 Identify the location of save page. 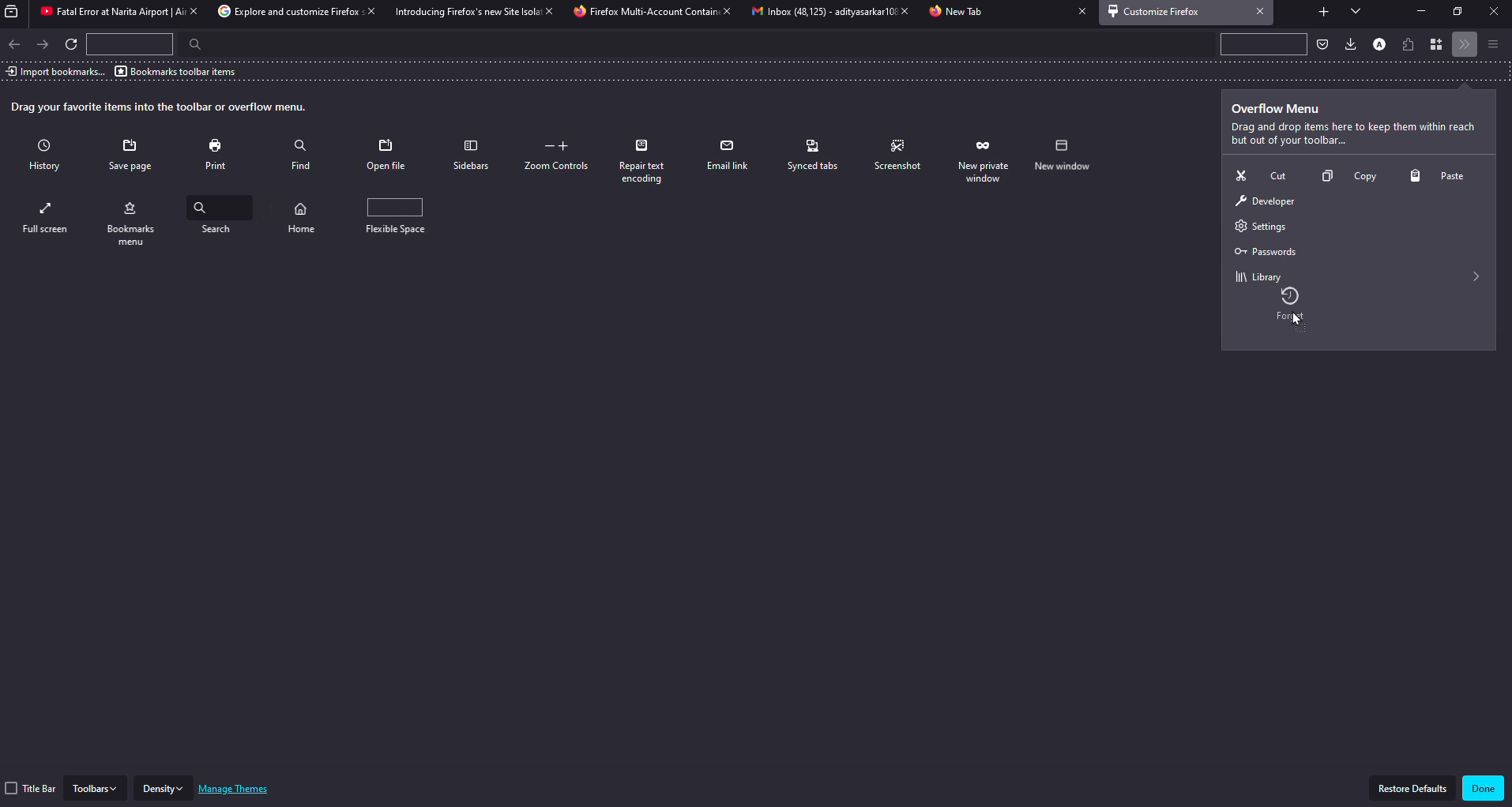
(134, 156).